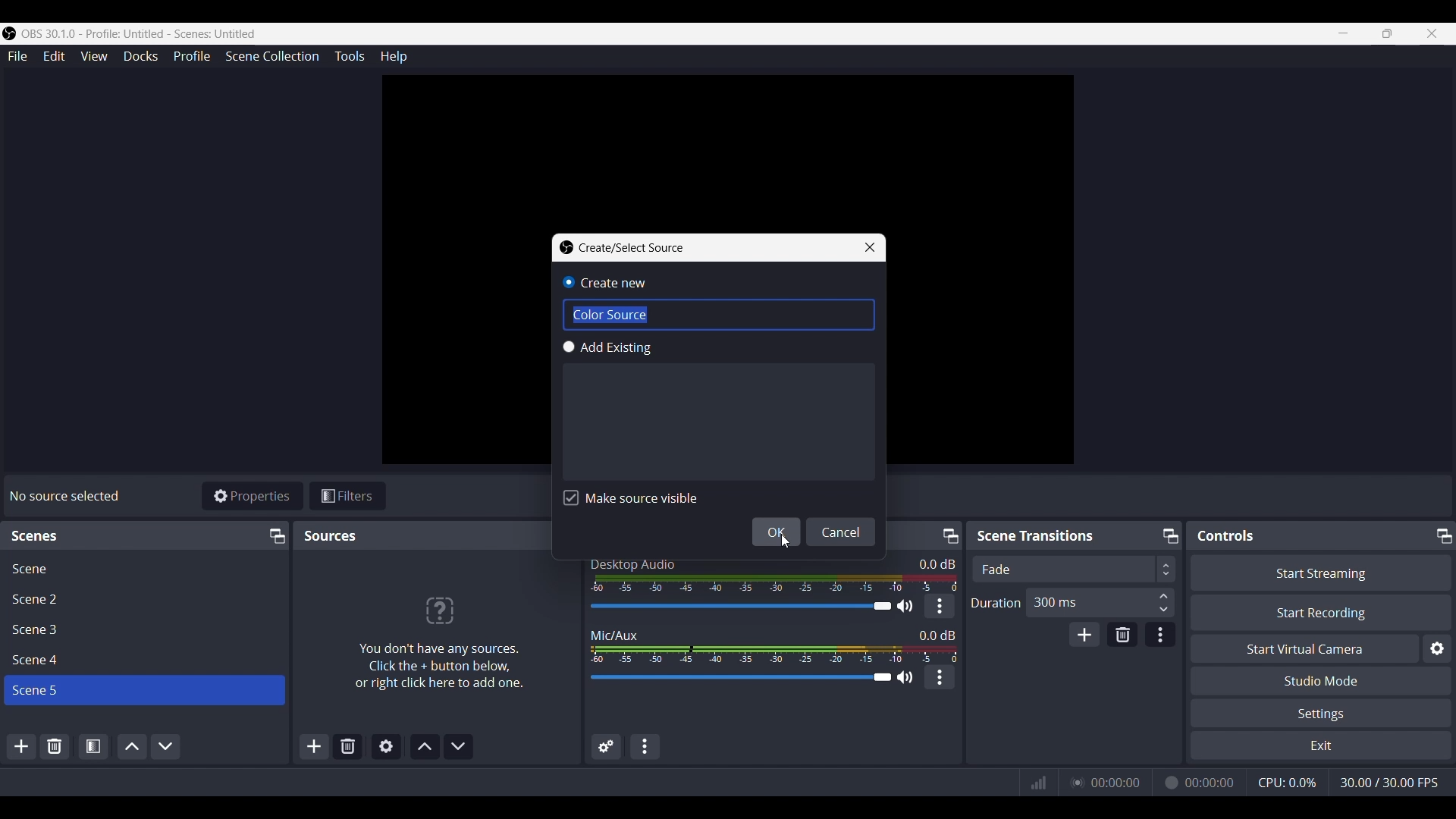 Image resolution: width=1456 pixels, height=819 pixels. I want to click on Maximize, so click(1168, 533).